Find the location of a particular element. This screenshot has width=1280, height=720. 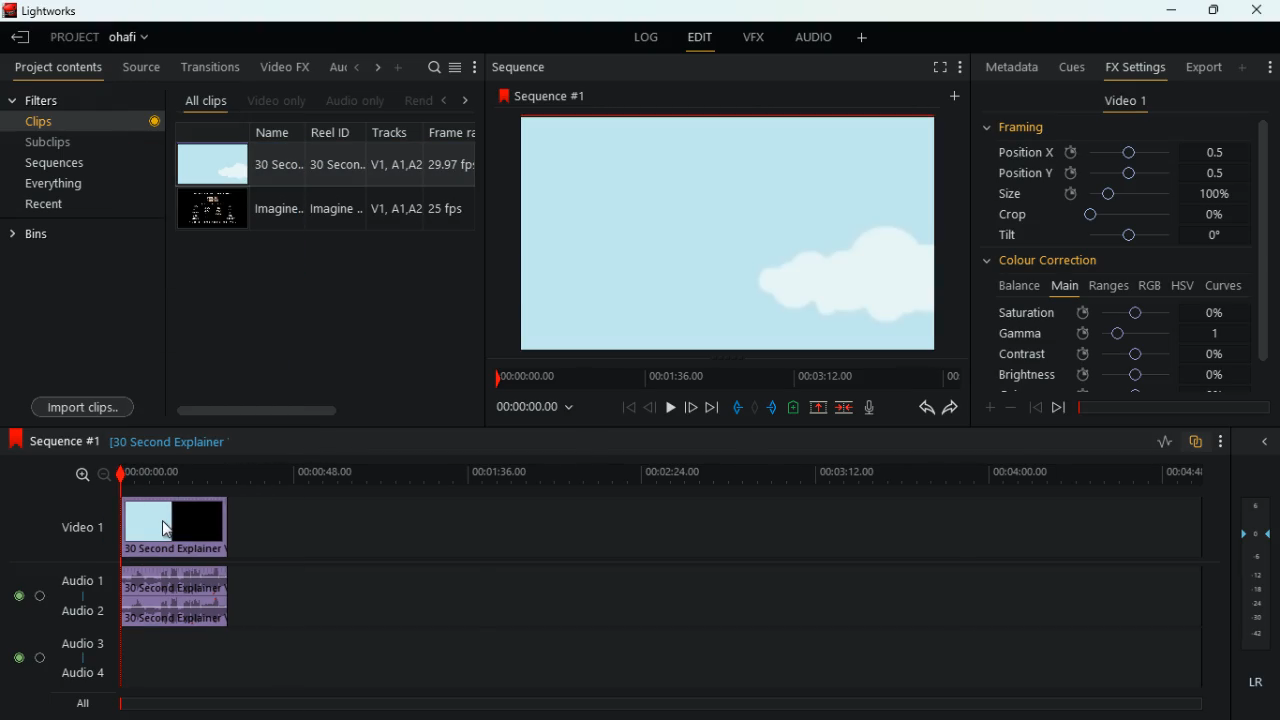

sequence is located at coordinates (518, 67).